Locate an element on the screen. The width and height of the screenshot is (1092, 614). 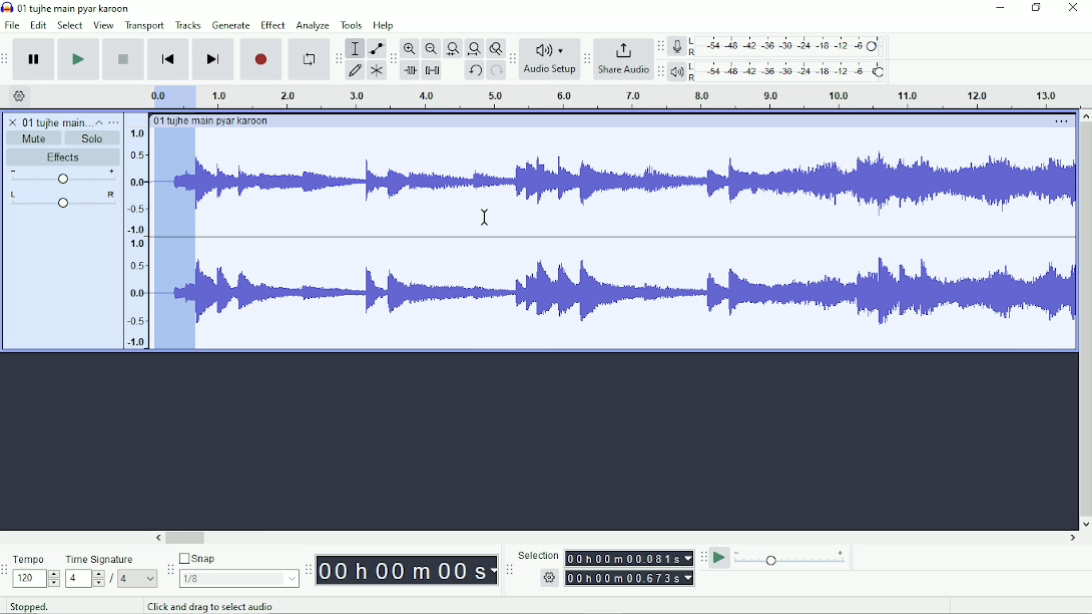
Audacity time toolbar is located at coordinates (307, 570).